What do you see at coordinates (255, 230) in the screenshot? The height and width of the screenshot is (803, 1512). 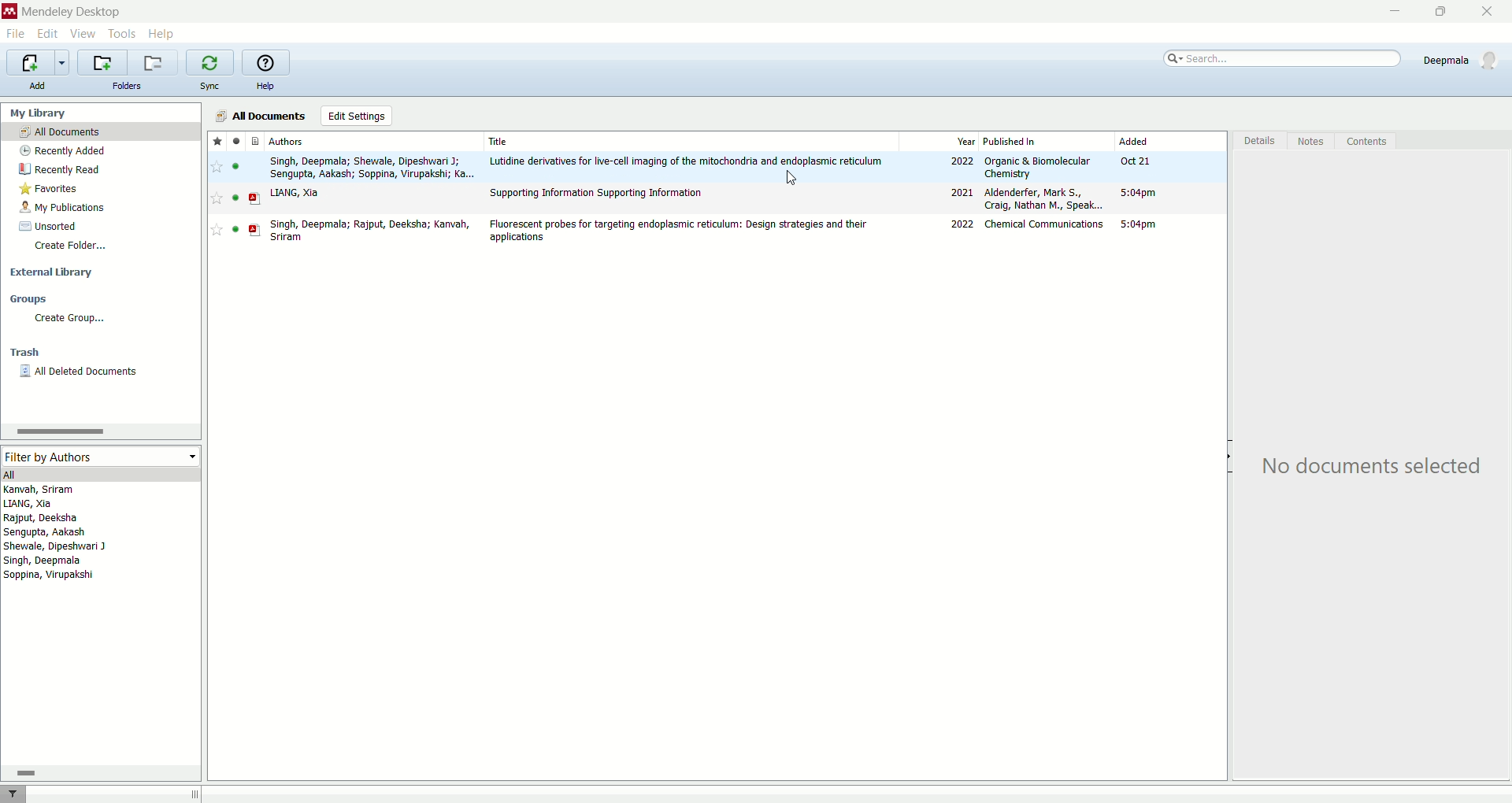 I see `PDF` at bounding box center [255, 230].